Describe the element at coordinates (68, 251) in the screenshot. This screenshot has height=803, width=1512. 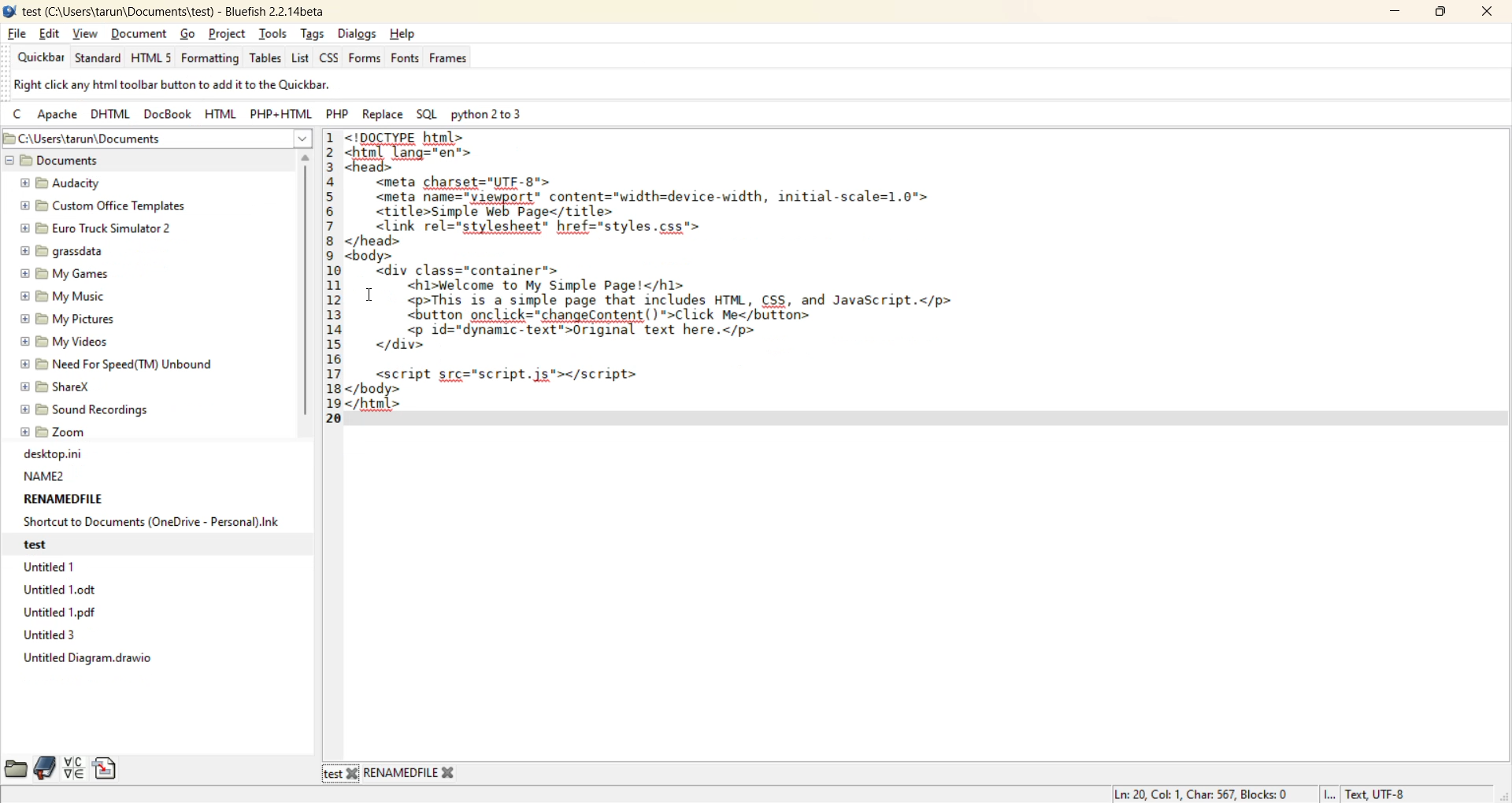
I see `# 9 grassdata` at that location.